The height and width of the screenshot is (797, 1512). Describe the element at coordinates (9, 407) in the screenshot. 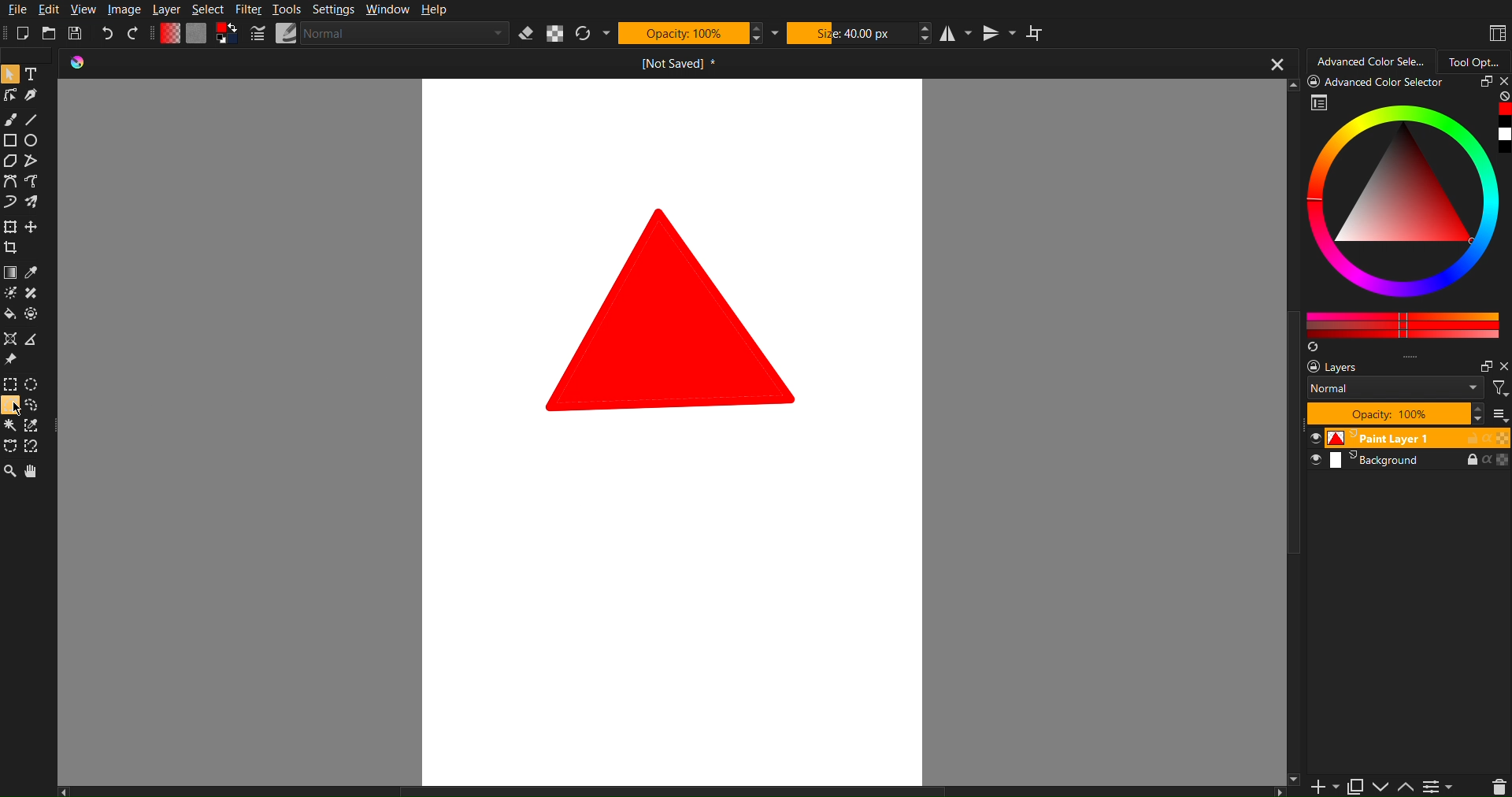

I see `Cursor` at that location.